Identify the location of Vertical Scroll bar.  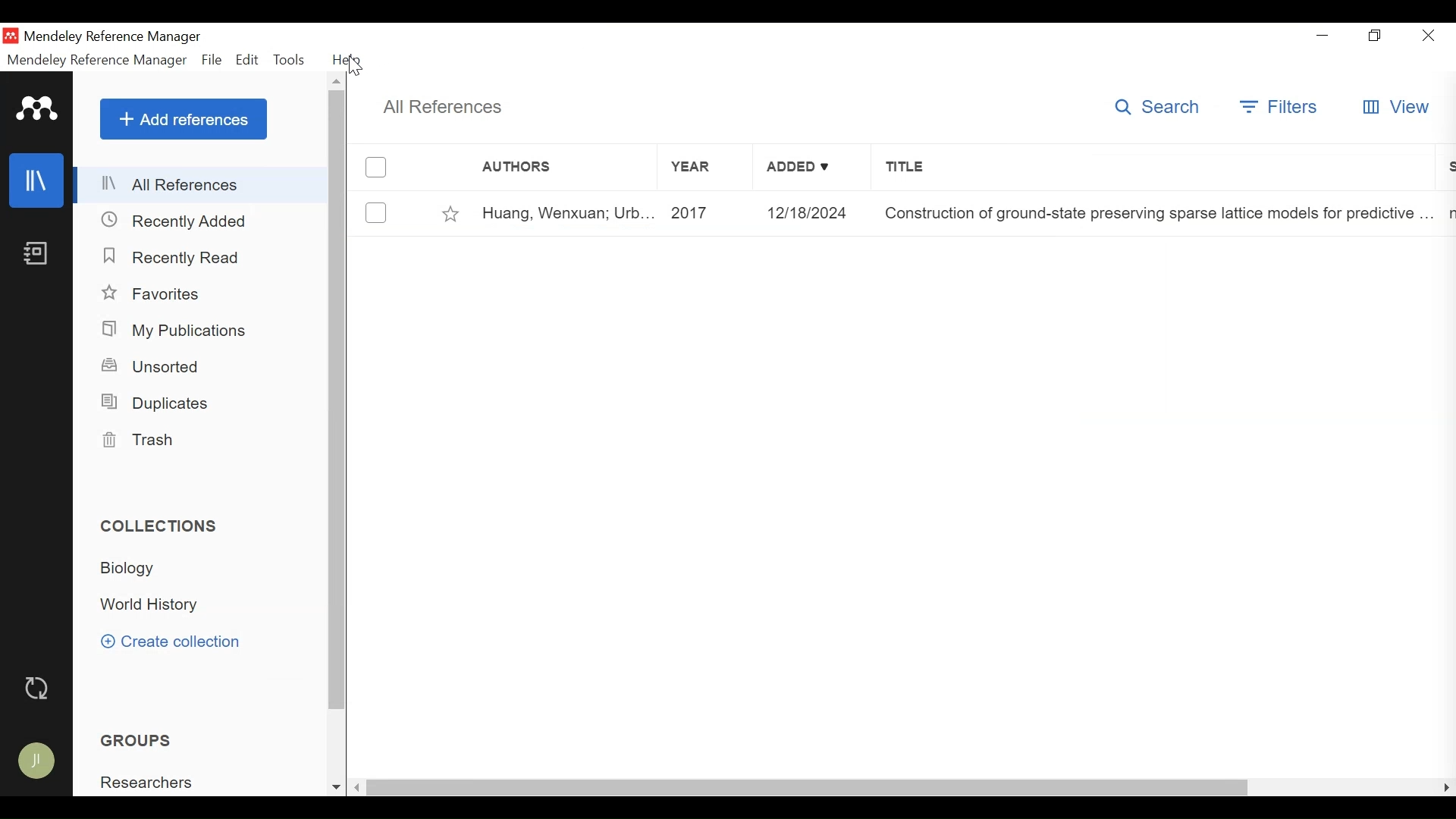
(340, 408).